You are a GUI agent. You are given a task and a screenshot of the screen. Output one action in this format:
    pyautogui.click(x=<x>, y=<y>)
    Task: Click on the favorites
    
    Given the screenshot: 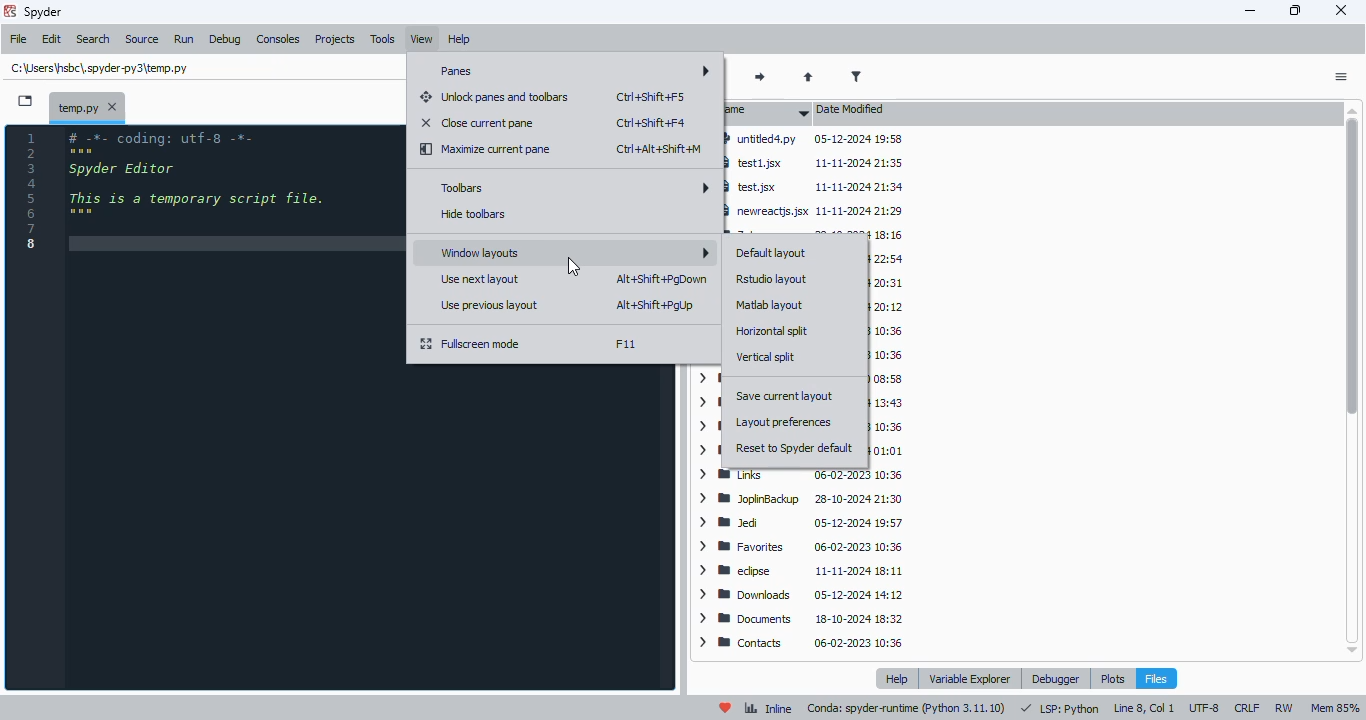 What is the action you would take?
    pyautogui.click(x=799, y=548)
    